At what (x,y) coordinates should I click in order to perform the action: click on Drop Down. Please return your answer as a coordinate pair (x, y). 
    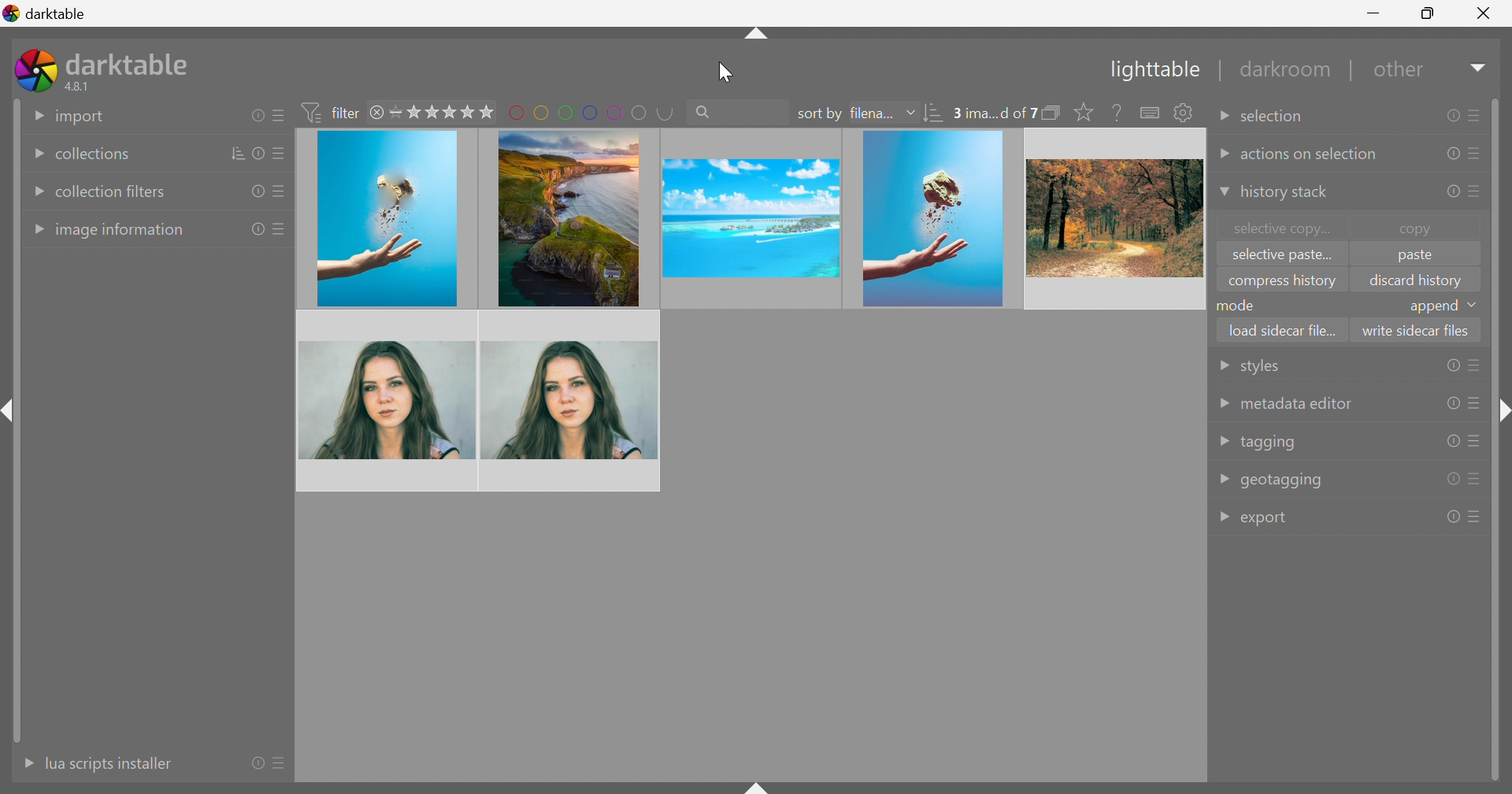
    Looking at the image, I should click on (1222, 366).